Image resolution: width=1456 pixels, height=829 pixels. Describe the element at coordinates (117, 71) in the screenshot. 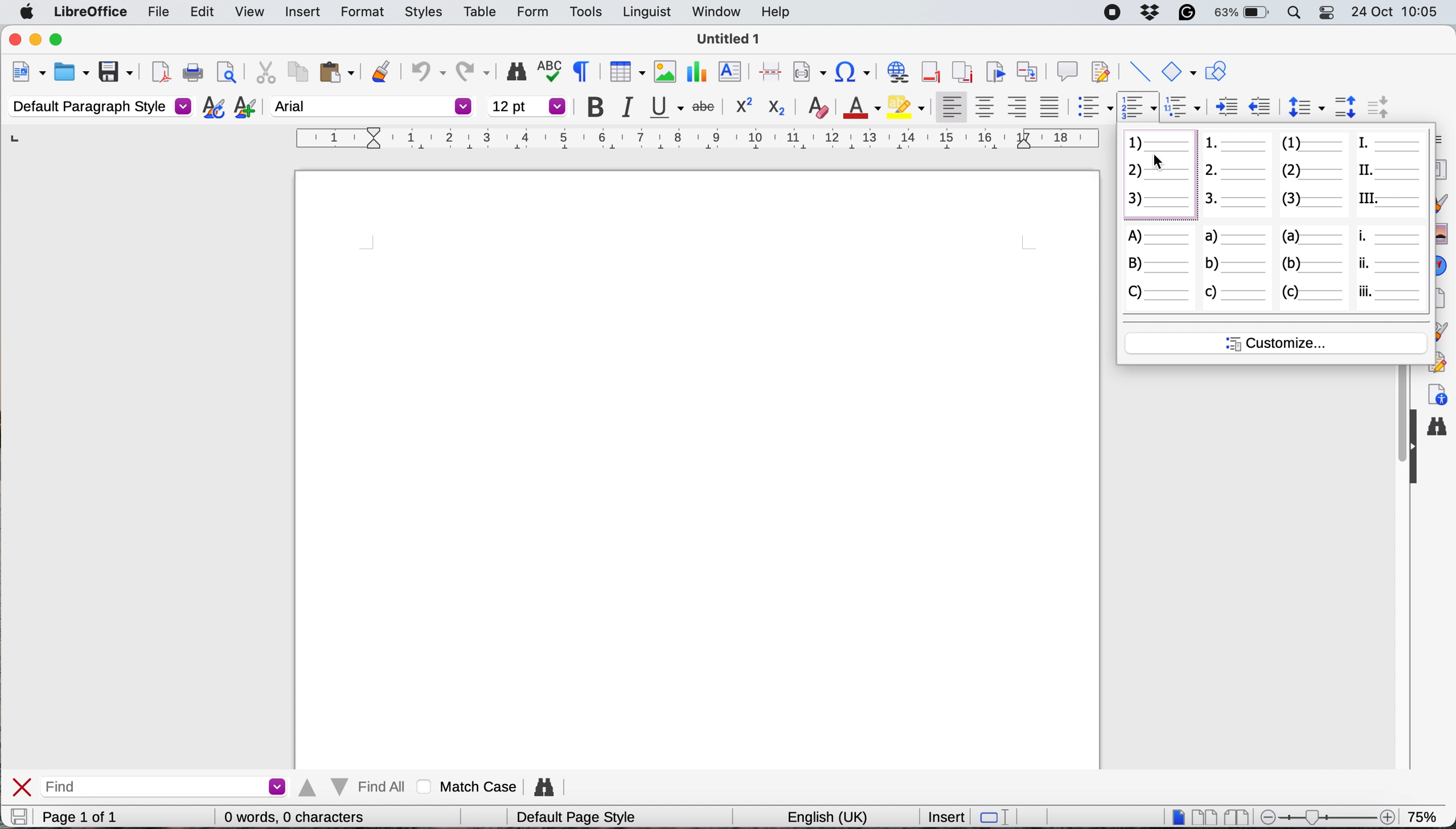

I see `save` at that location.